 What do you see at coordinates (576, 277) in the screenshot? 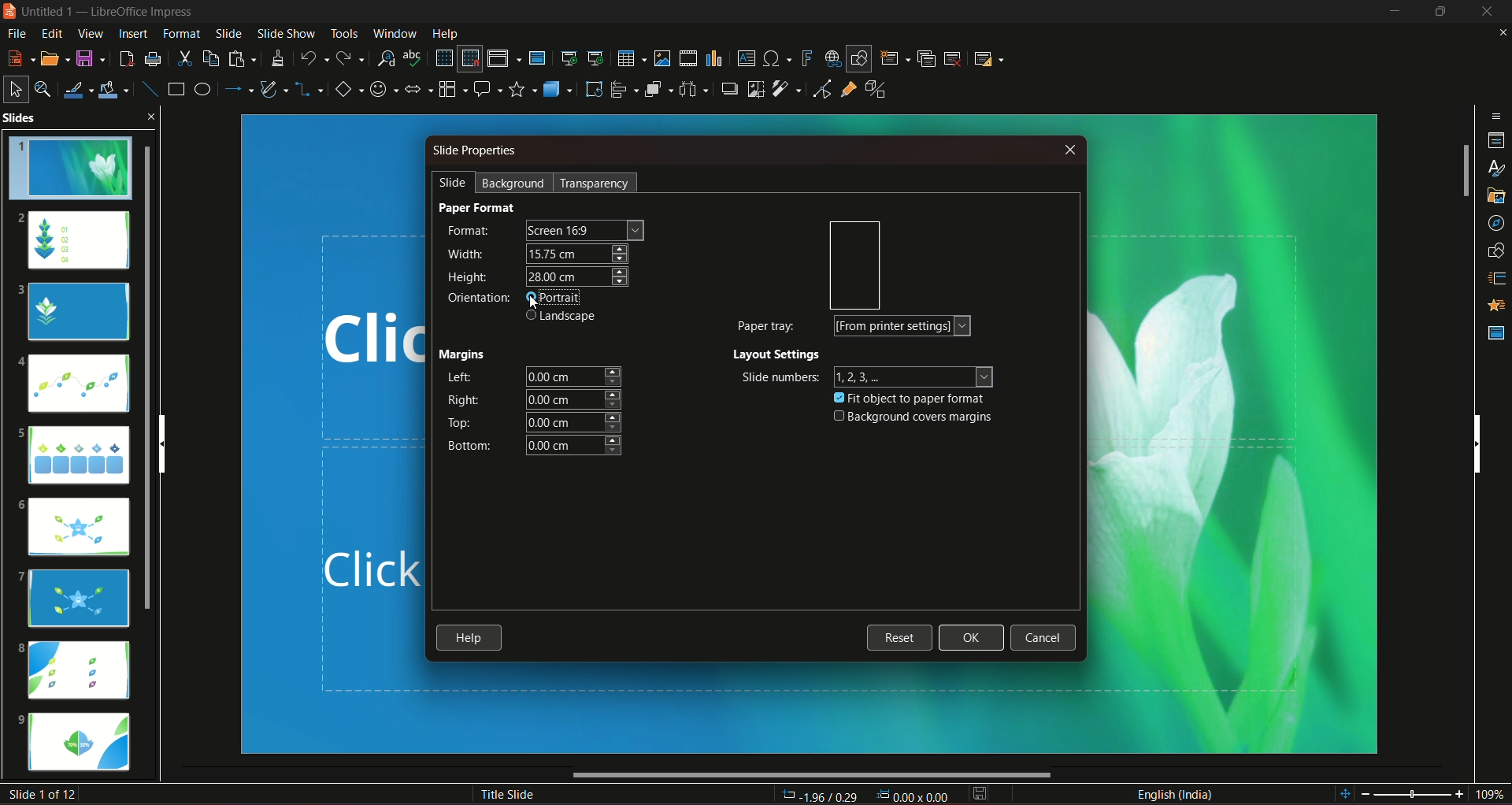
I see `height` at bounding box center [576, 277].